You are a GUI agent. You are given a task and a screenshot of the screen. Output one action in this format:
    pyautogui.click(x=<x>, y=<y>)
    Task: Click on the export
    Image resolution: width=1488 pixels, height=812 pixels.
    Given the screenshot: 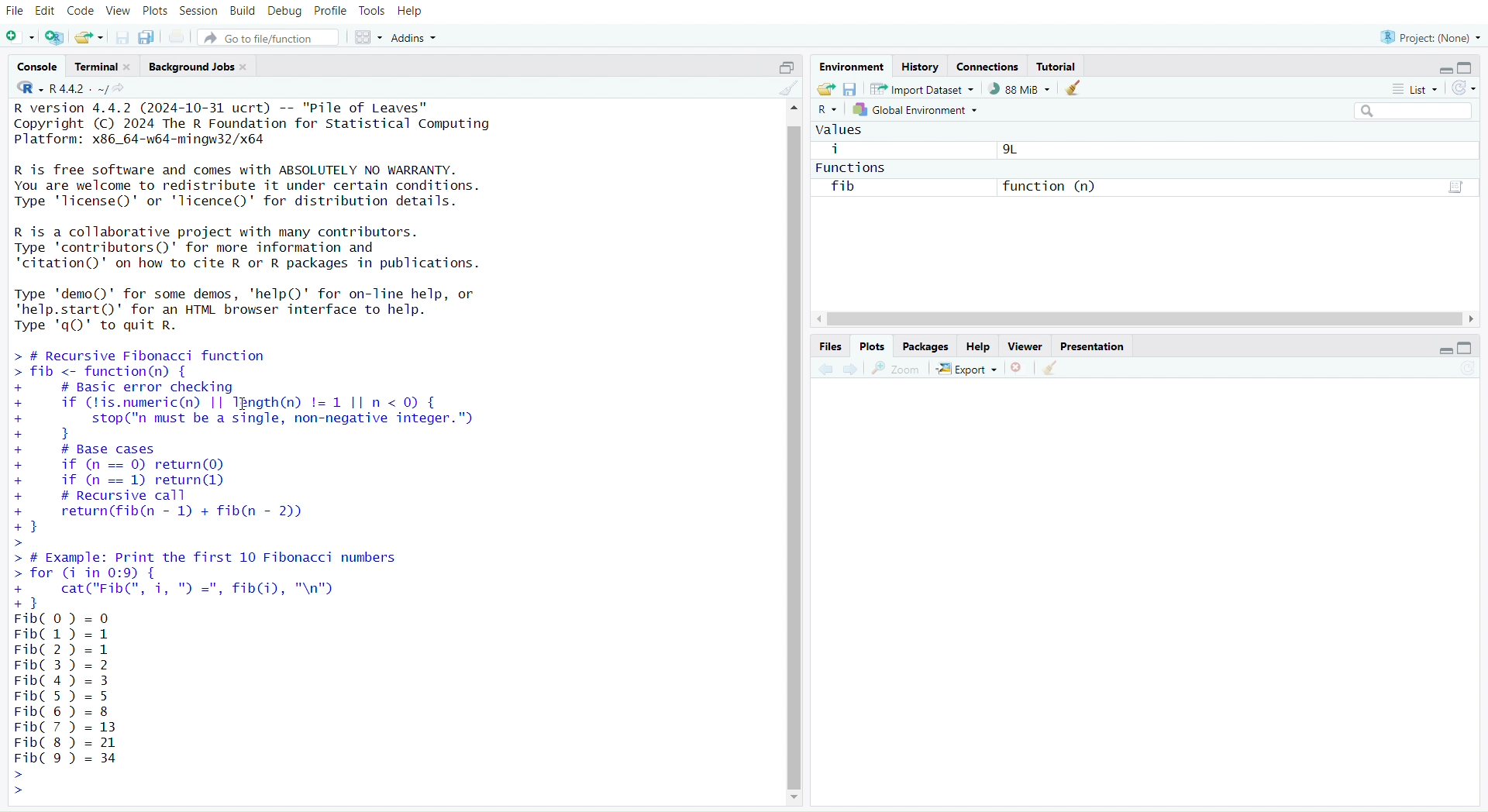 What is the action you would take?
    pyautogui.click(x=968, y=370)
    